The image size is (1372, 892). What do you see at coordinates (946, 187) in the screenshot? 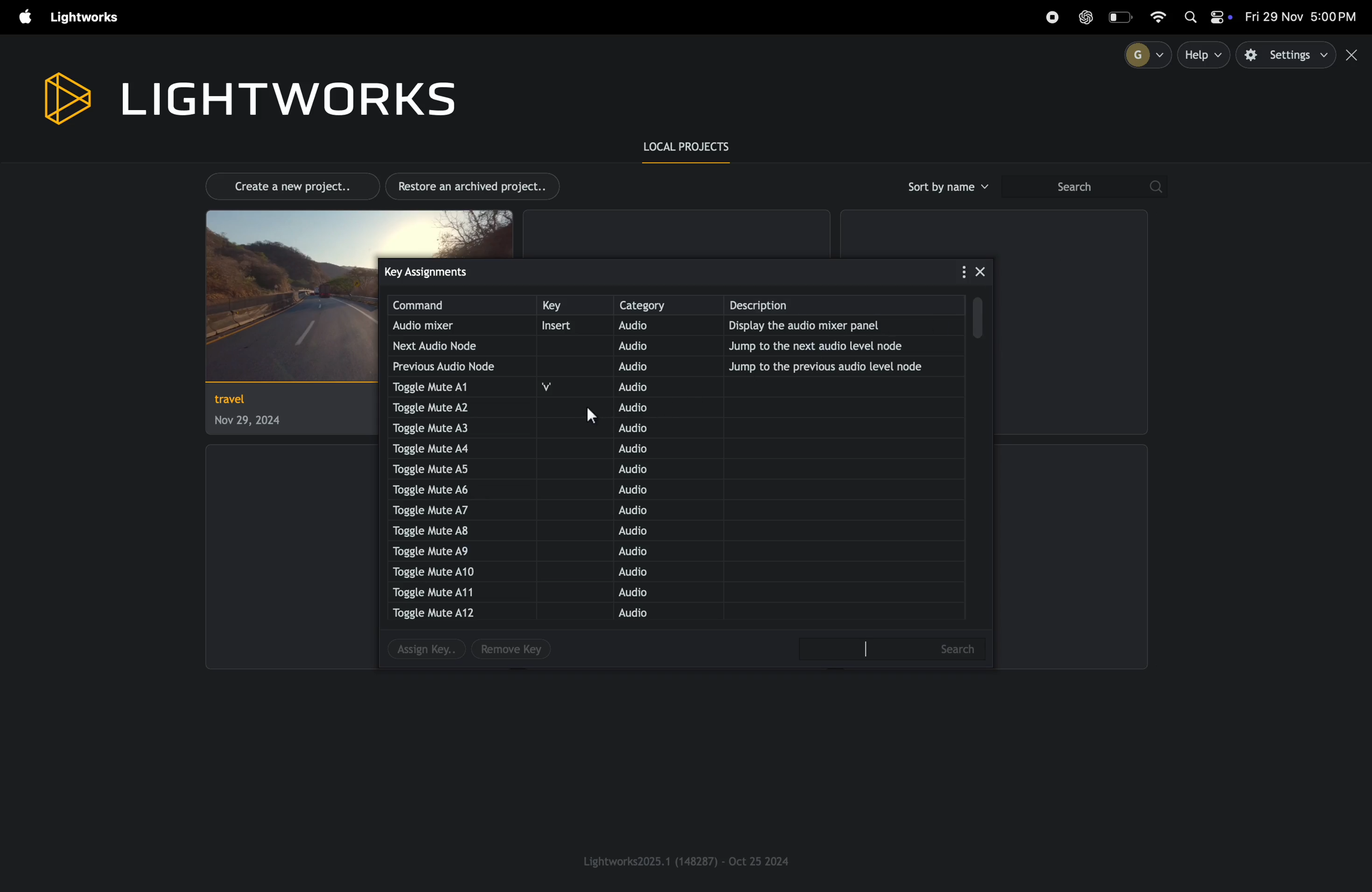
I see `sort by name` at bounding box center [946, 187].